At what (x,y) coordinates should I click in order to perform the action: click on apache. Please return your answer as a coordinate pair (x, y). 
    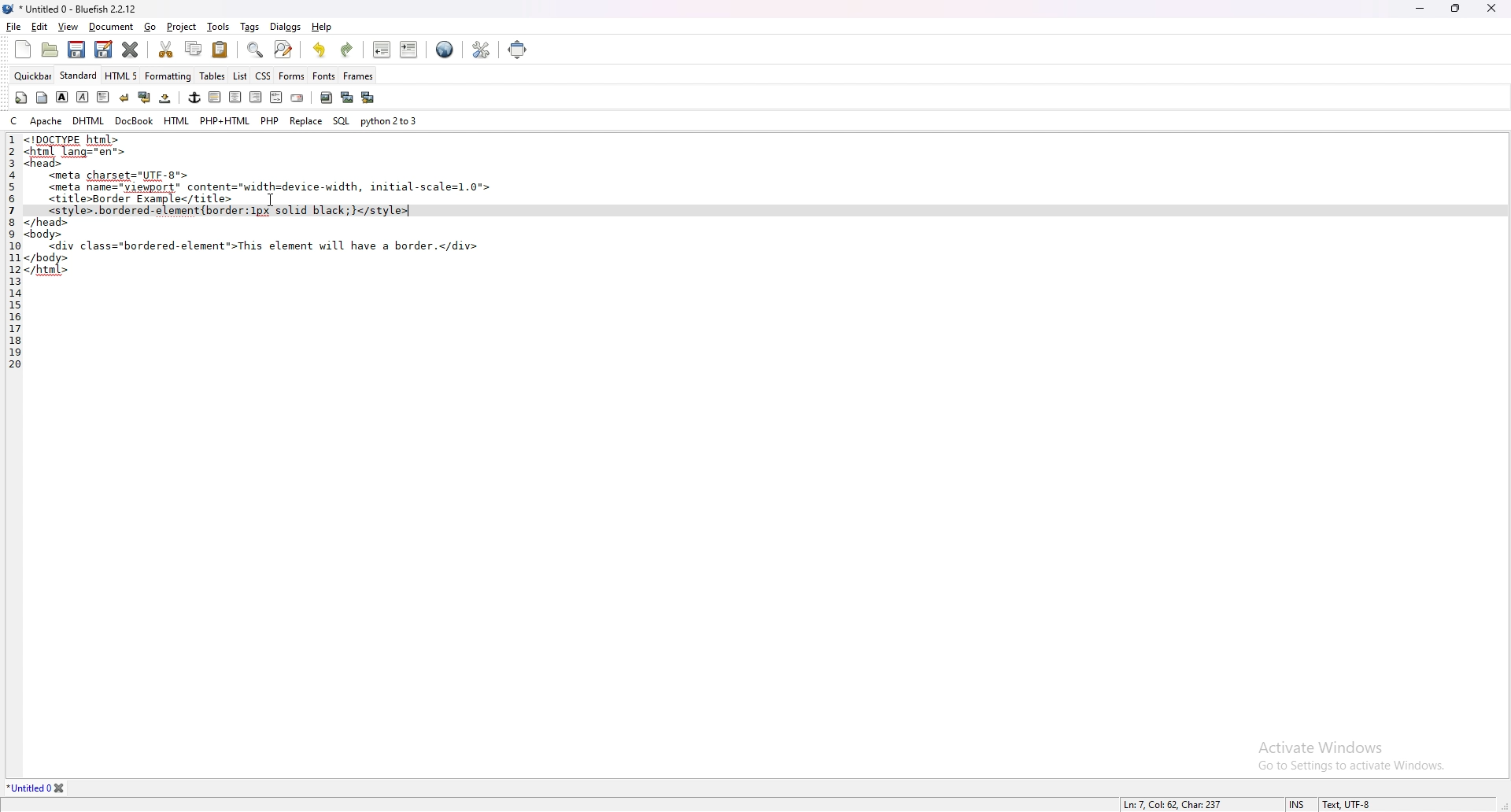
    Looking at the image, I should click on (46, 120).